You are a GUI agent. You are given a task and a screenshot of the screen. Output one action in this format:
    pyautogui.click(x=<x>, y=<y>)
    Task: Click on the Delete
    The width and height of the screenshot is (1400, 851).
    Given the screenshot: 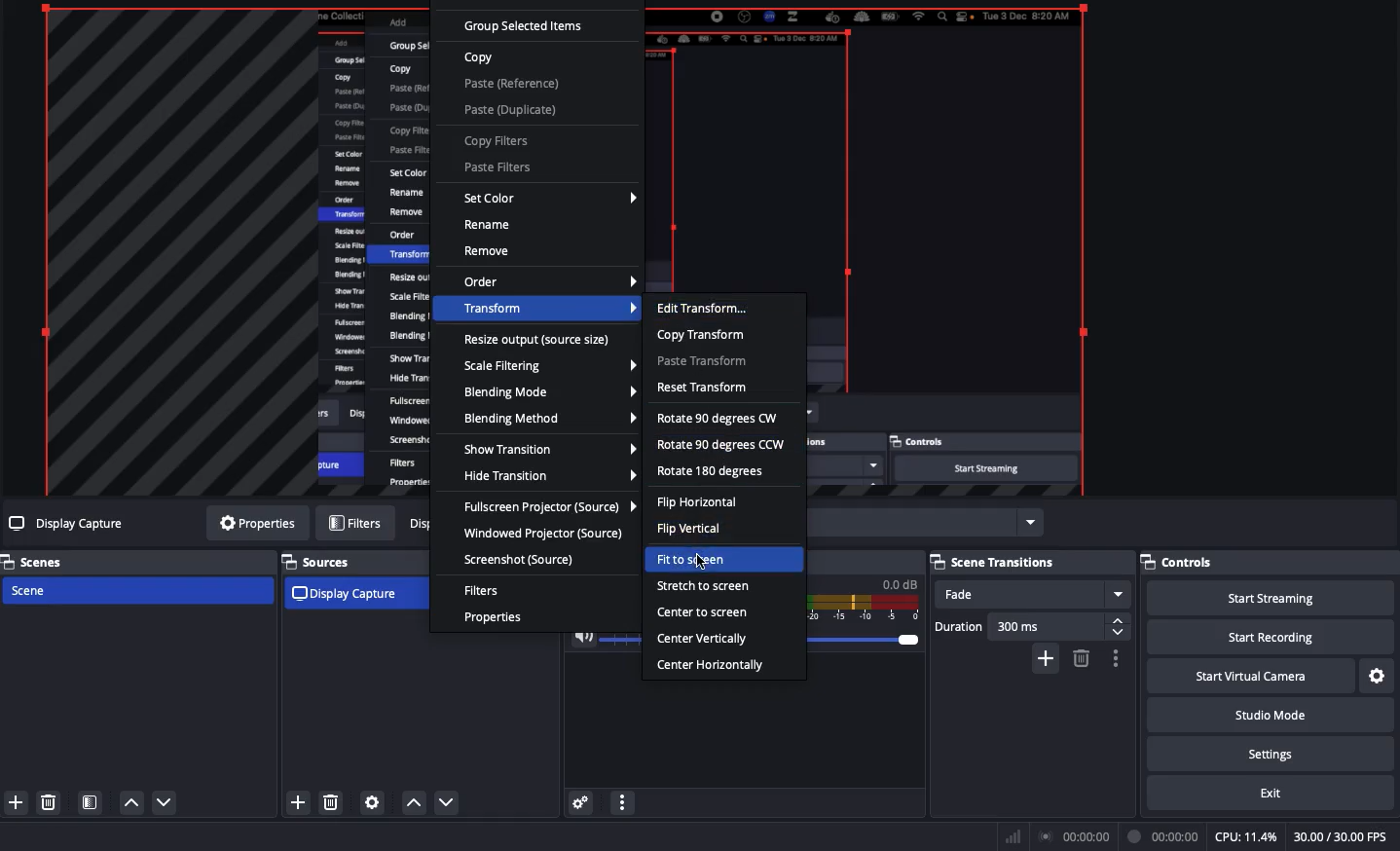 What is the action you would take?
    pyautogui.click(x=49, y=803)
    